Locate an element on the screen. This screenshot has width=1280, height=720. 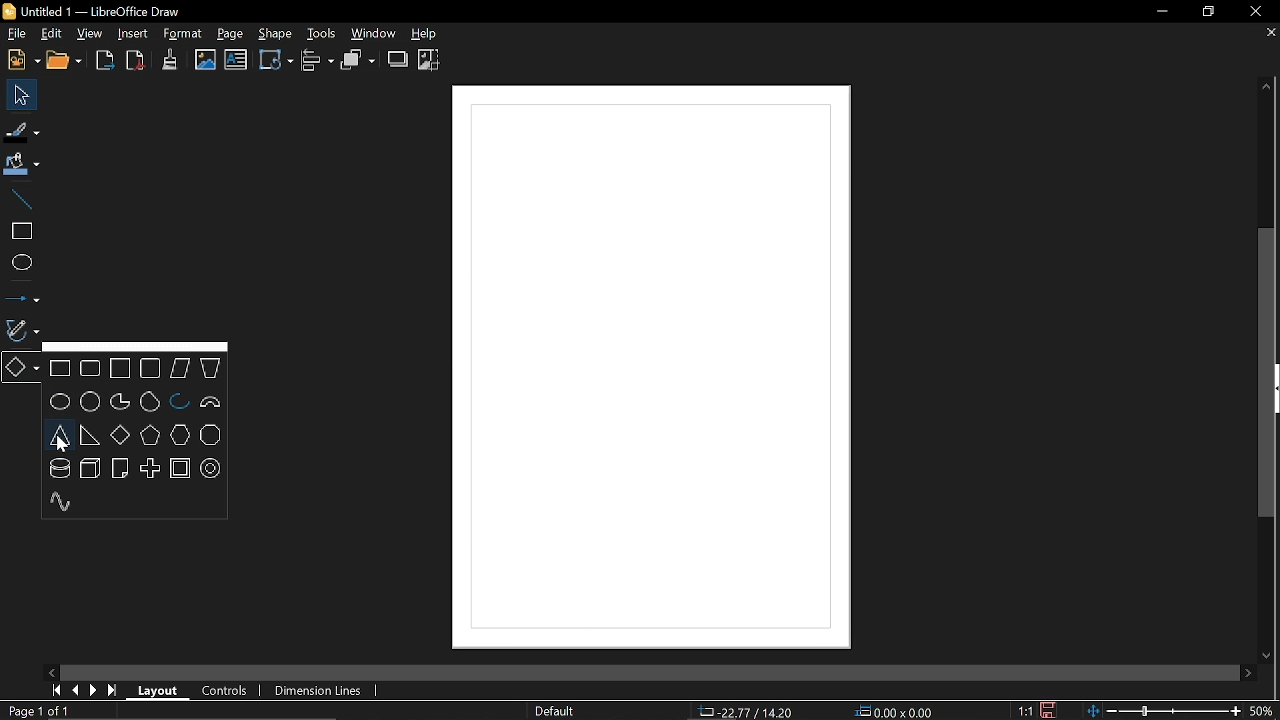
Transformation is located at coordinates (276, 59).